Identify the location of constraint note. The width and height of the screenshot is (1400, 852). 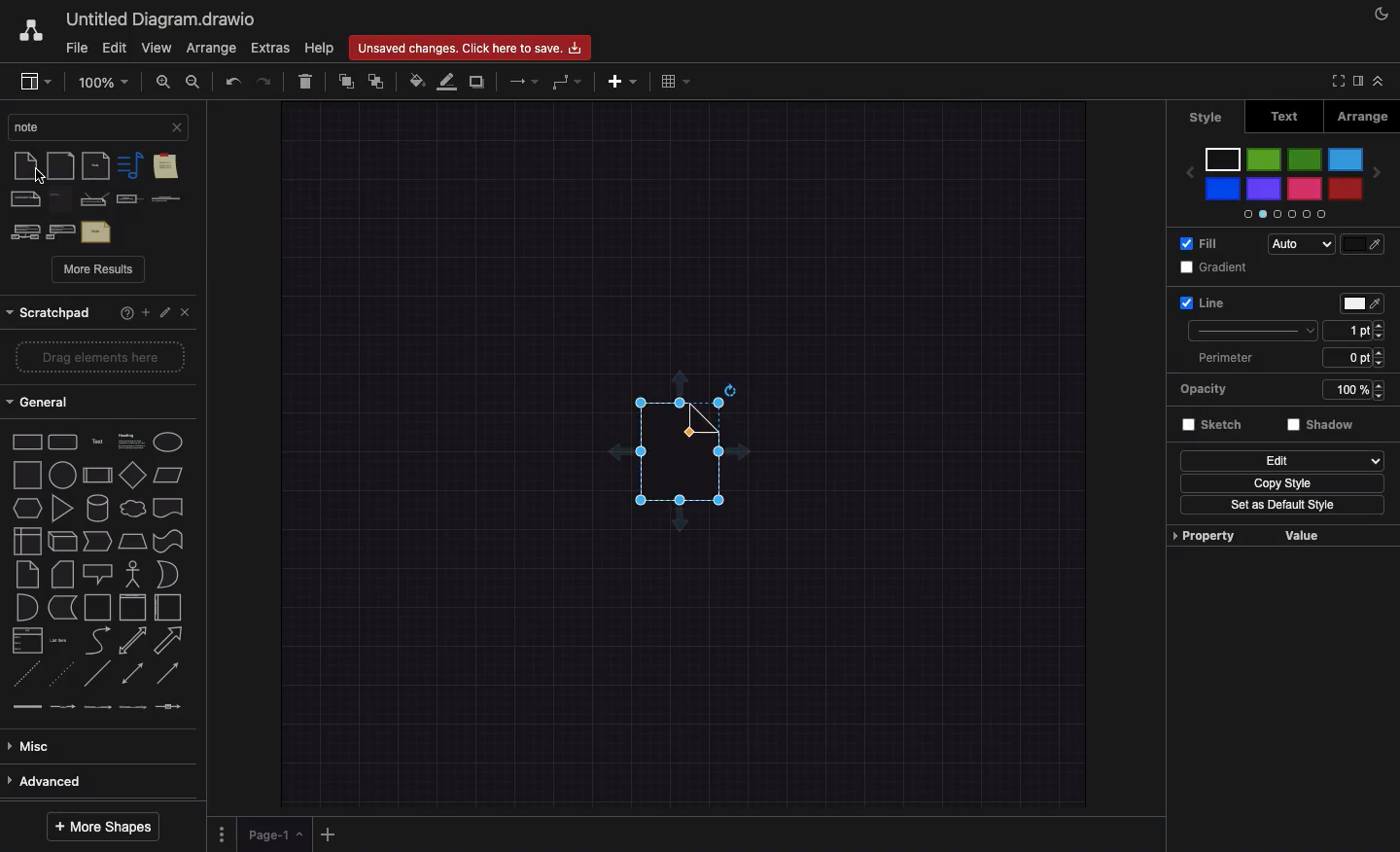
(95, 199).